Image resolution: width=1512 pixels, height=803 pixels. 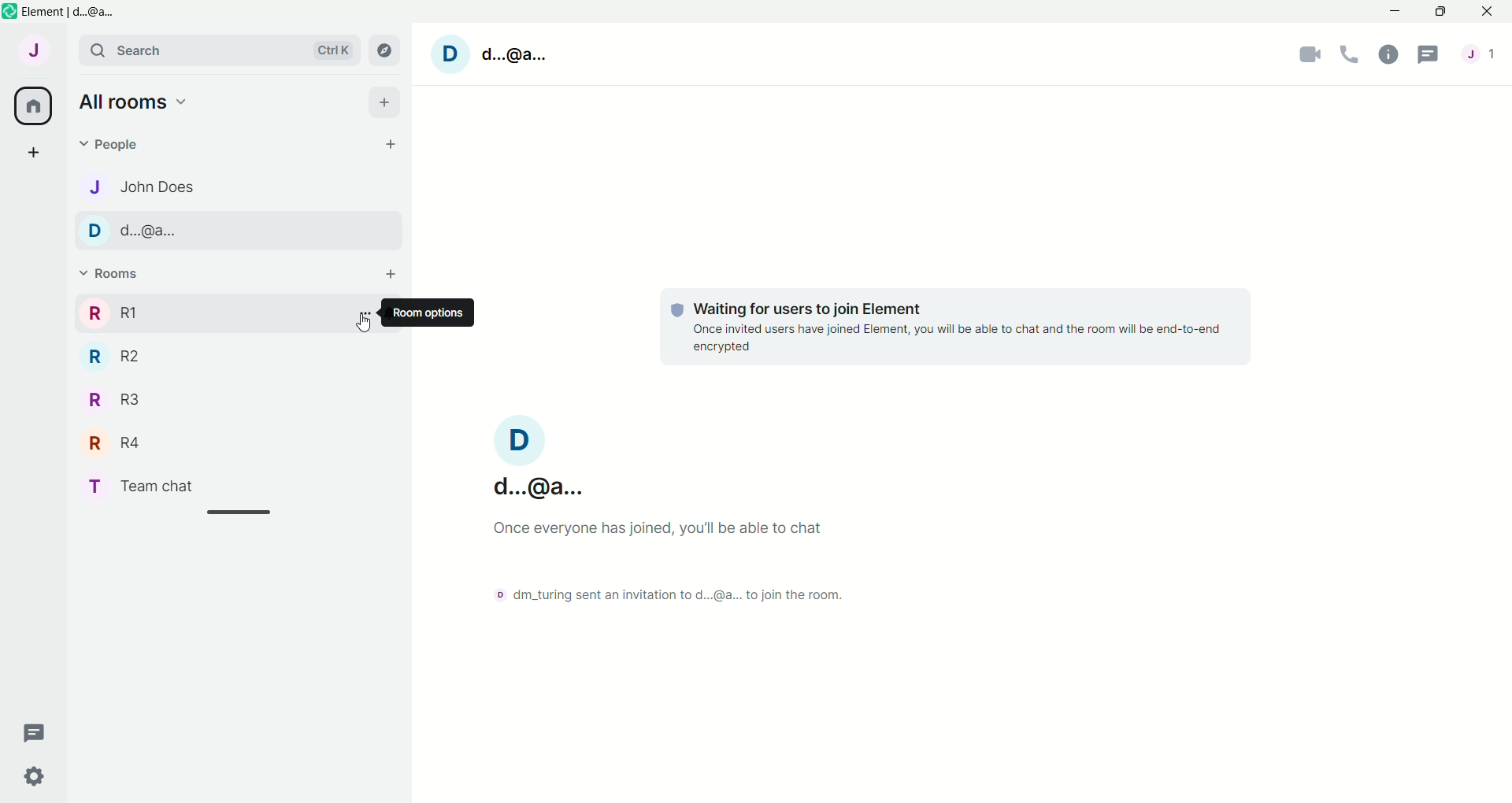 I want to click on R R3, so click(x=124, y=401).